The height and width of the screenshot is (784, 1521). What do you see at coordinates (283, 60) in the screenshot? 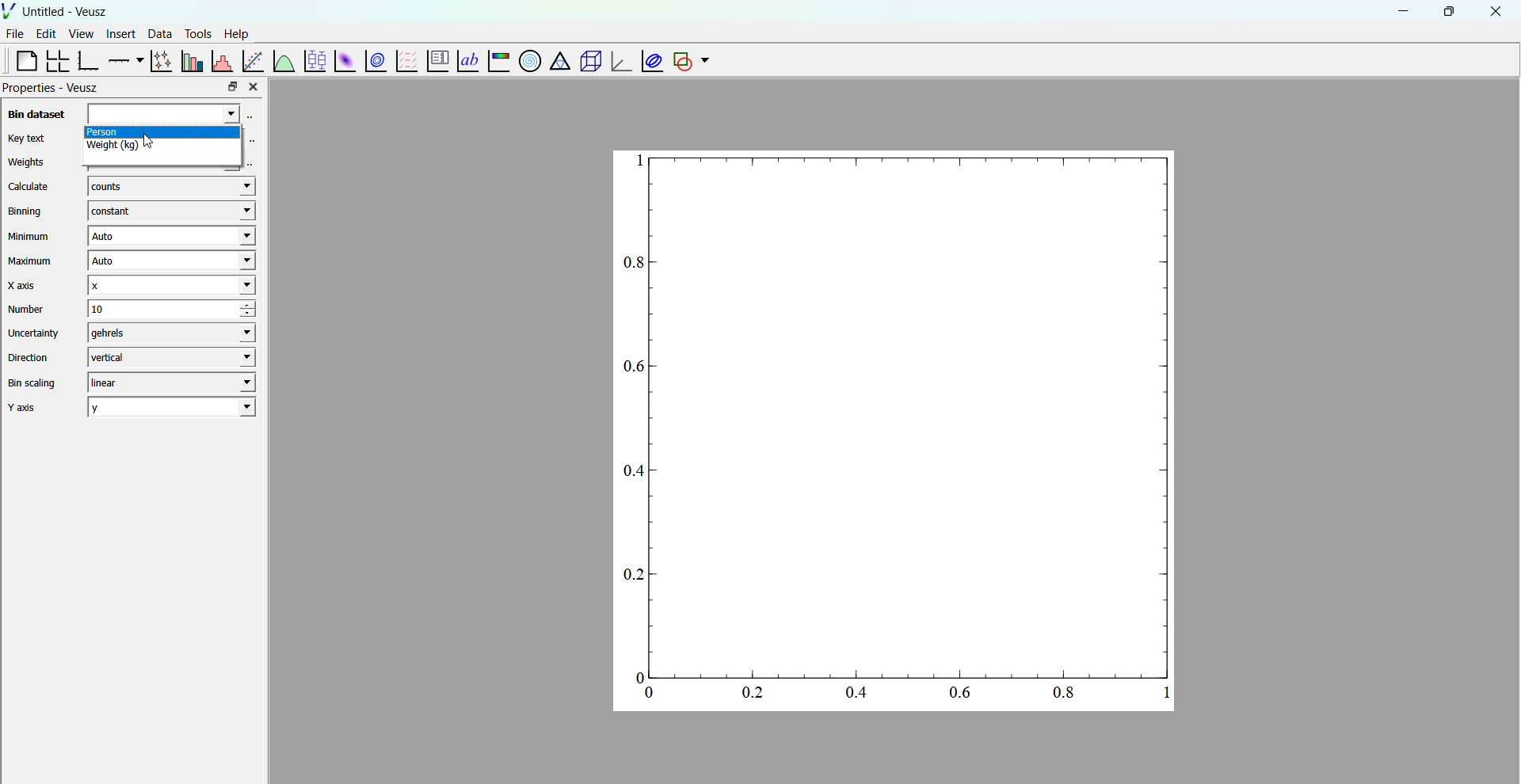
I see `plot functions` at bounding box center [283, 60].